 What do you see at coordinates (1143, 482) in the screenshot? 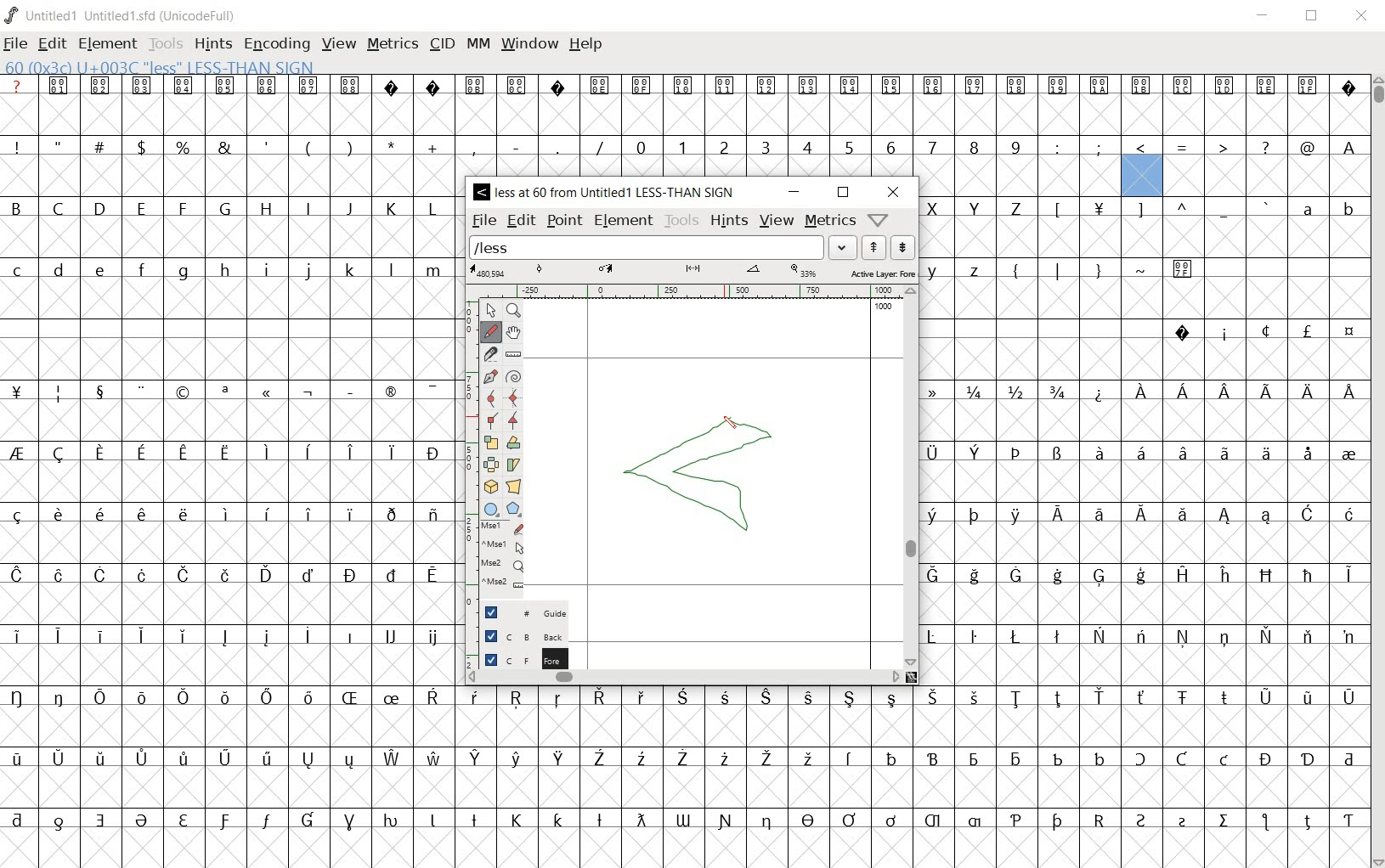
I see `empty cells` at bounding box center [1143, 482].